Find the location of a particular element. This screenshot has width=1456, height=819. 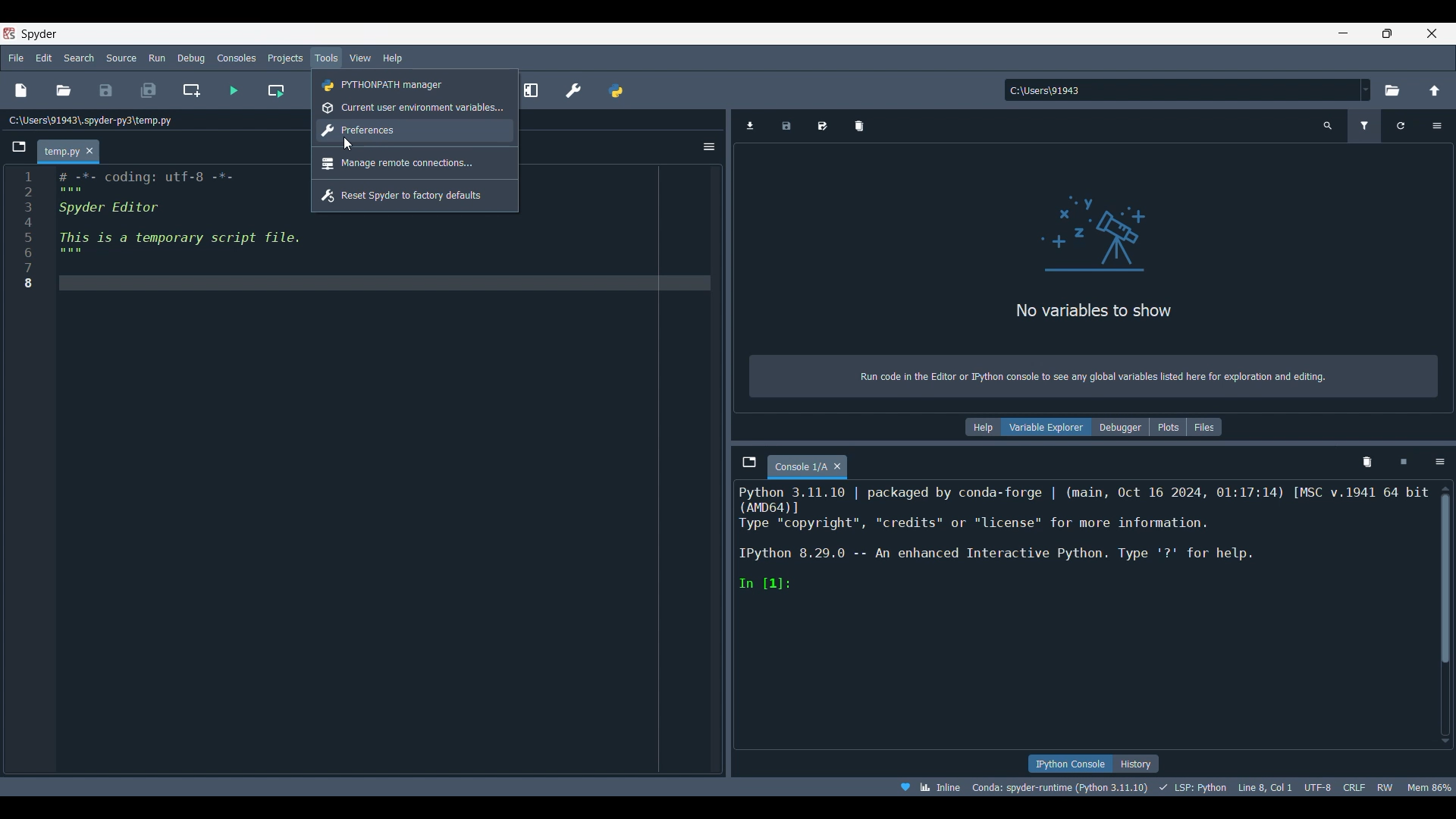

Interrupt kernel is located at coordinates (1404, 463).